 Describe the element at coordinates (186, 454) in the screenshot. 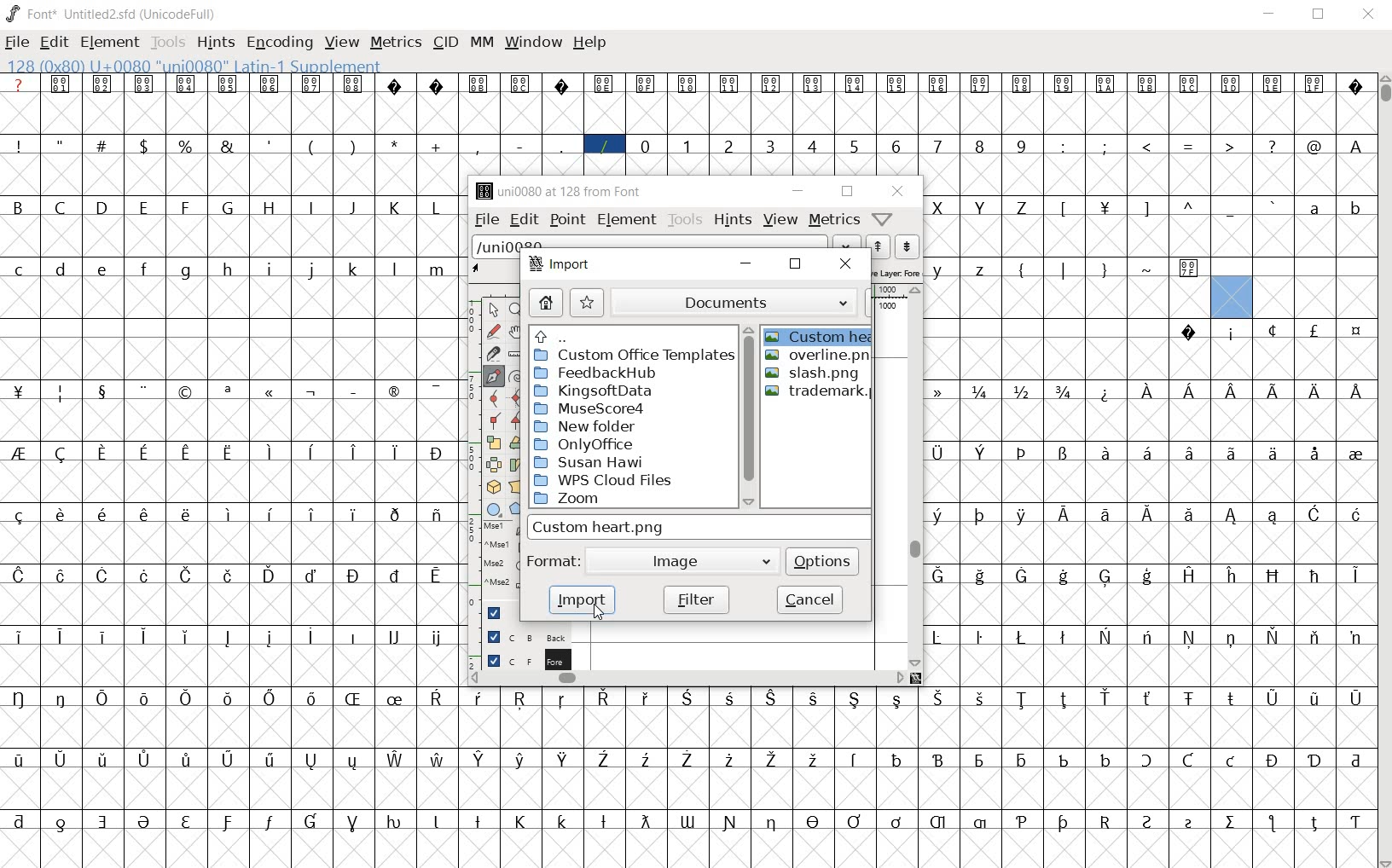

I see `glyph` at that location.